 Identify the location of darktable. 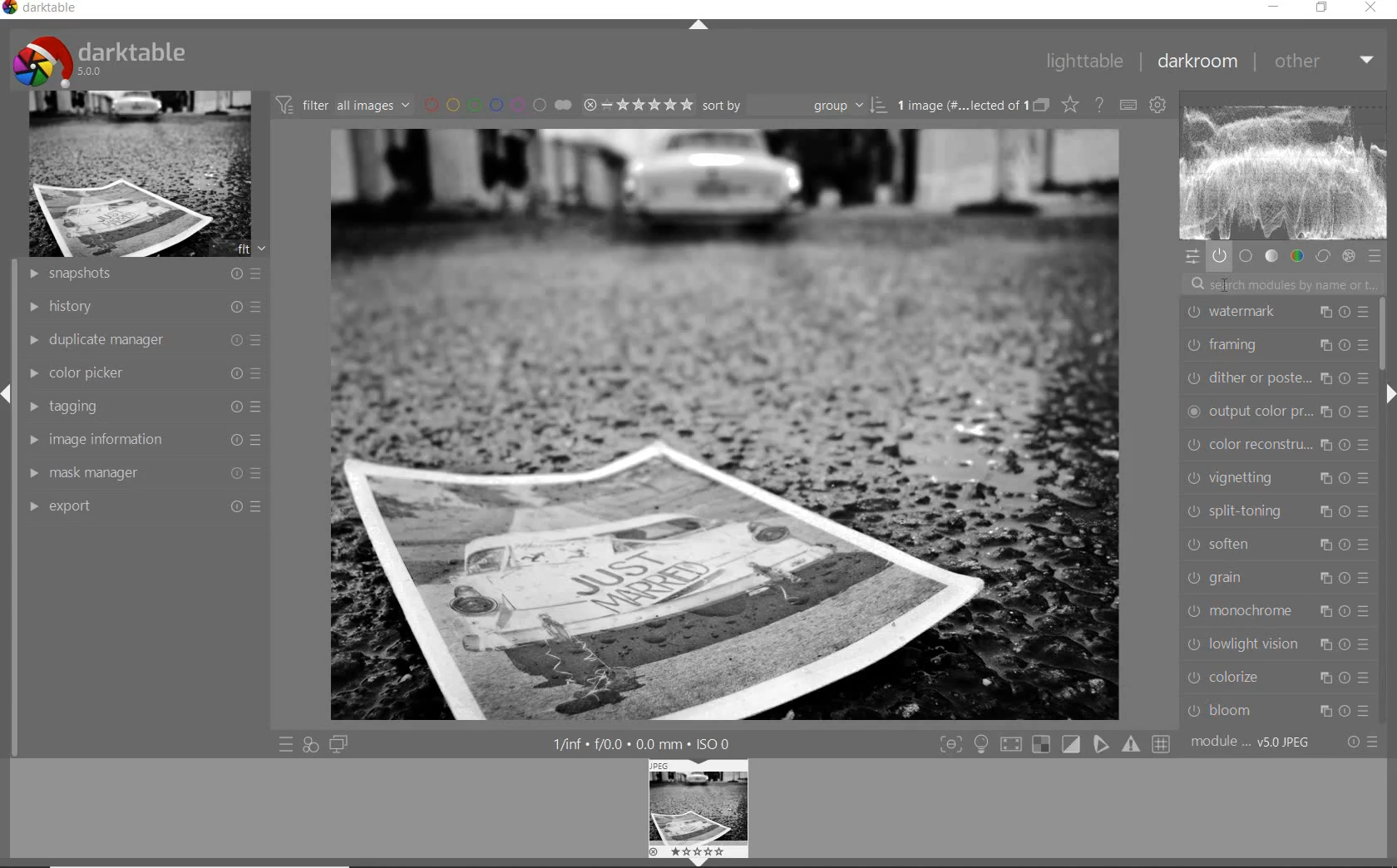
(43, 8).